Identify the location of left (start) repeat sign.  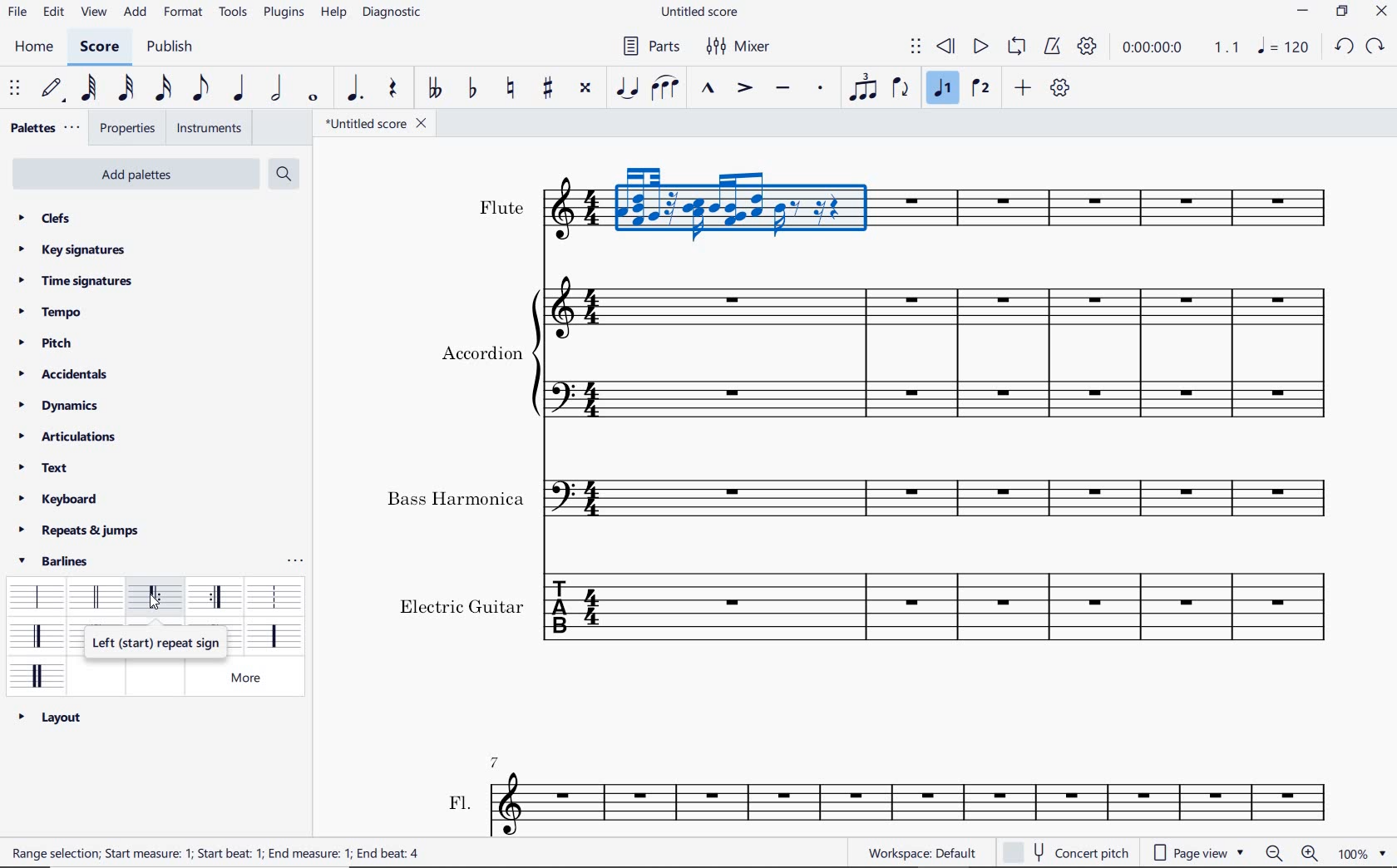
(156, 599).